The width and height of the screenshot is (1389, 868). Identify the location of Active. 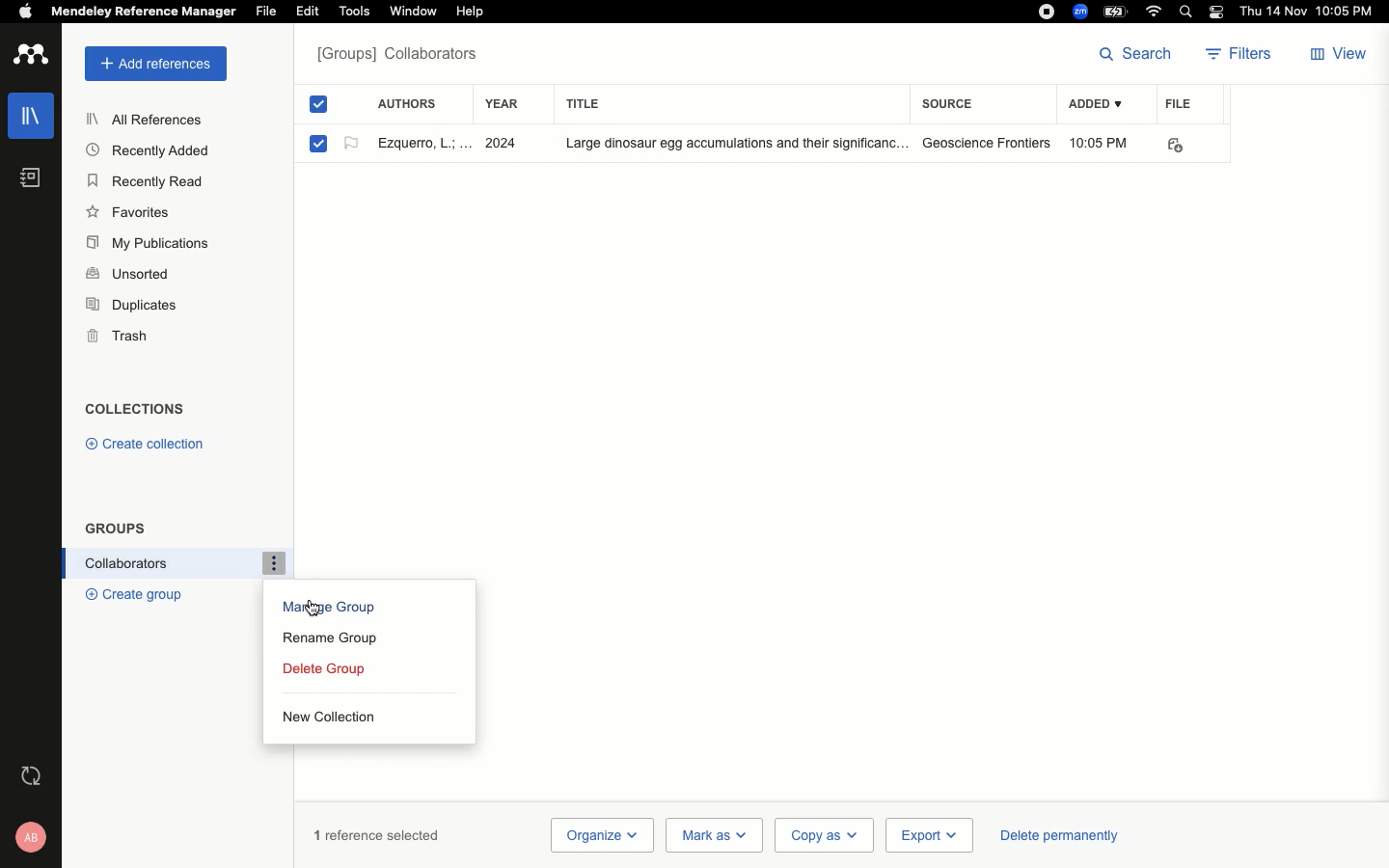
(348, 146).